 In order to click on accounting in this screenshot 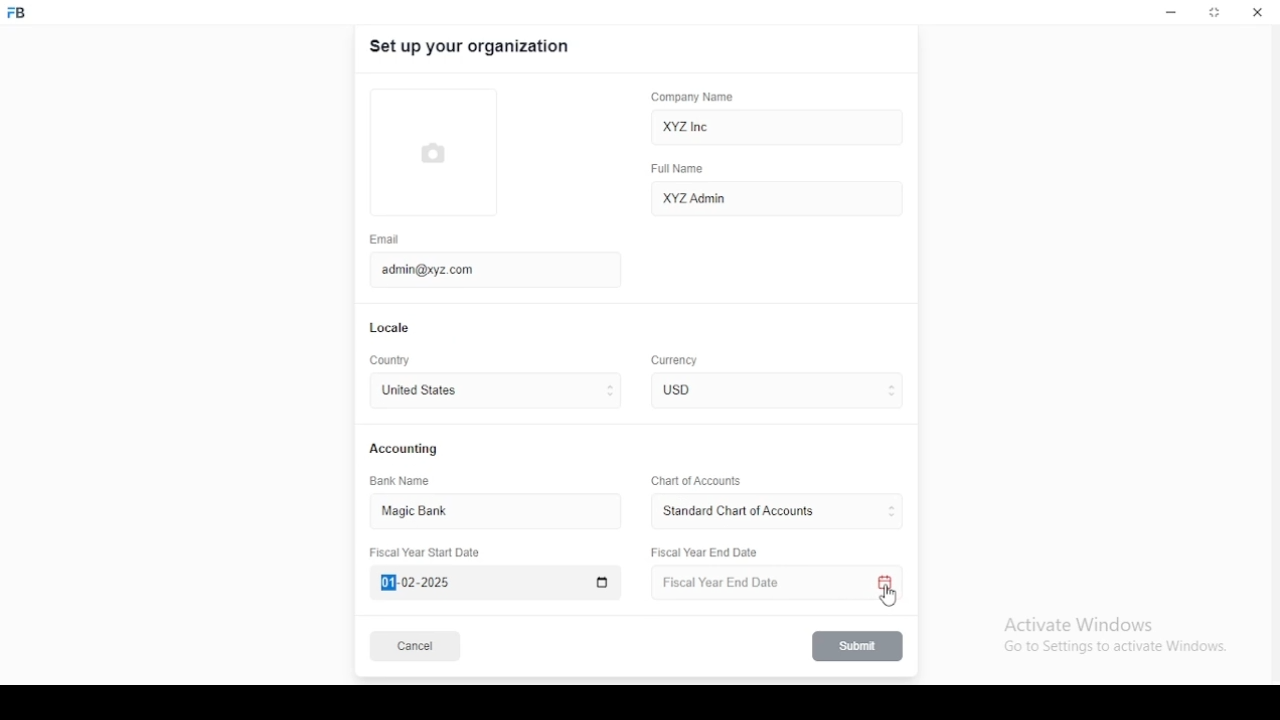, I will do `click(405, 448)`.